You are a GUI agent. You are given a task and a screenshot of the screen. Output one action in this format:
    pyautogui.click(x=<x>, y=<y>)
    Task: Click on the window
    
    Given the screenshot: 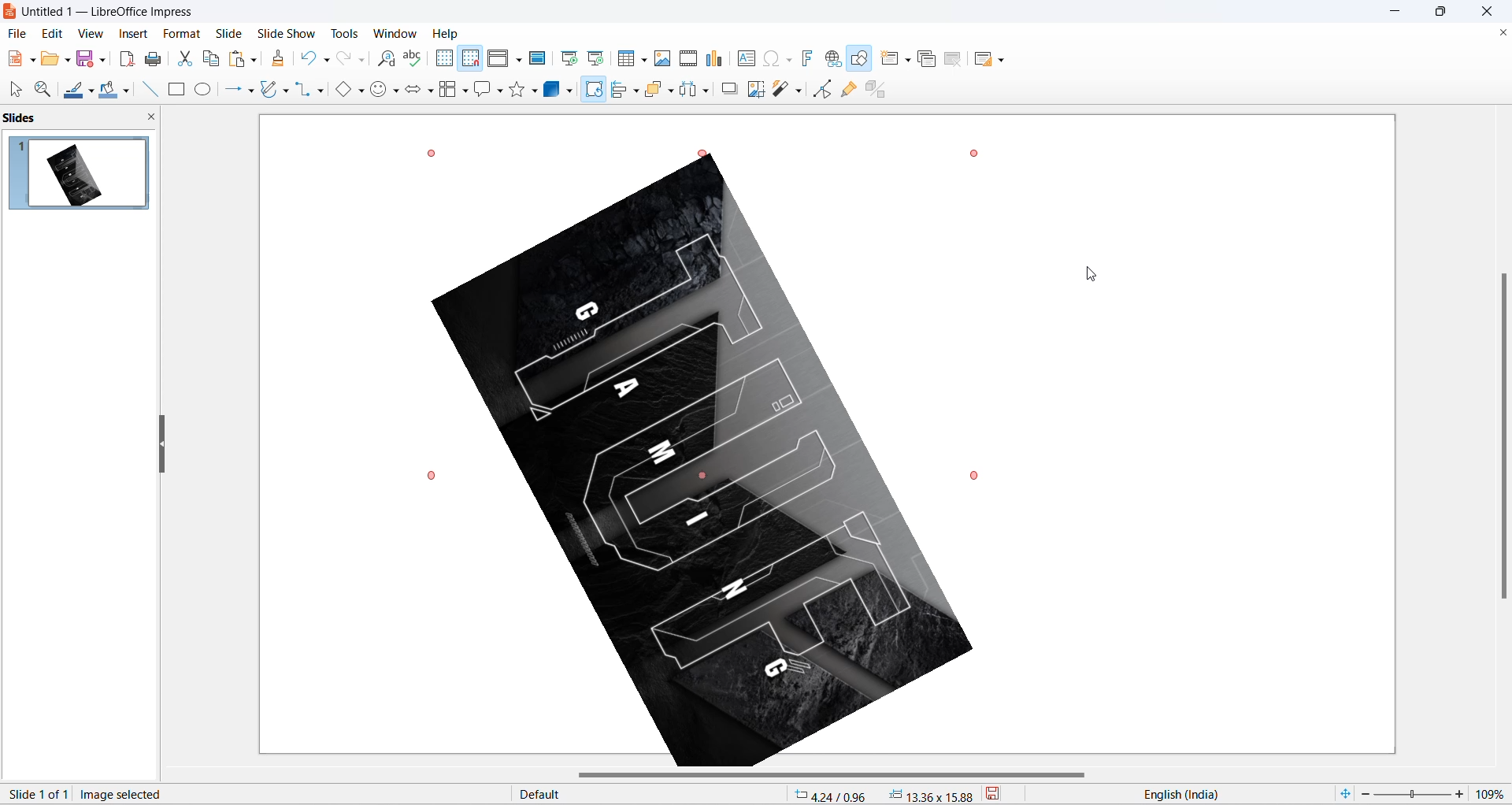 What is the action you would take?
    pyautogui.click(x=398, y=33)
    